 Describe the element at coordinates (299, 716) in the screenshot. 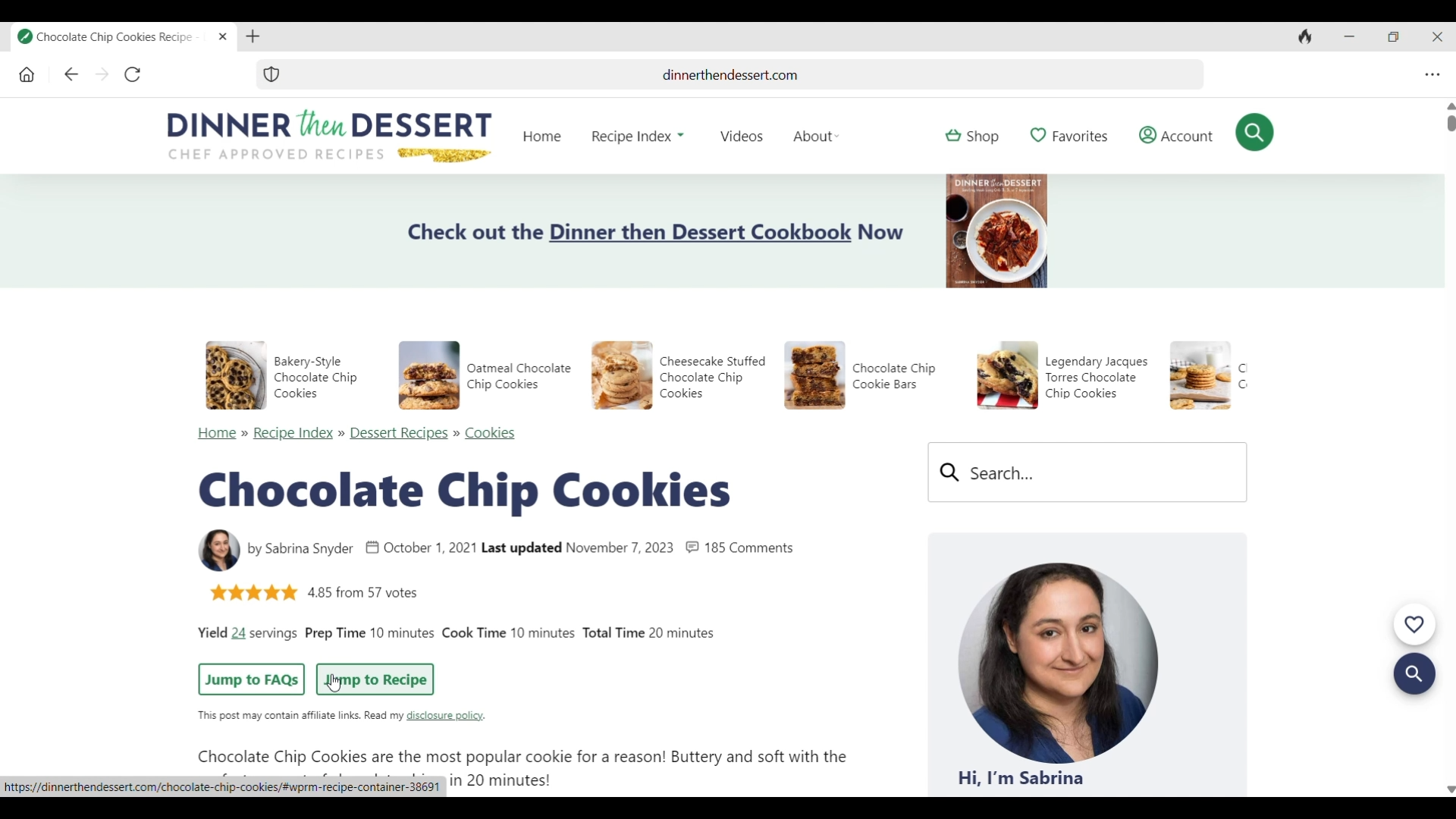

I see `This post may contain affiliate links. Read my` at that location.